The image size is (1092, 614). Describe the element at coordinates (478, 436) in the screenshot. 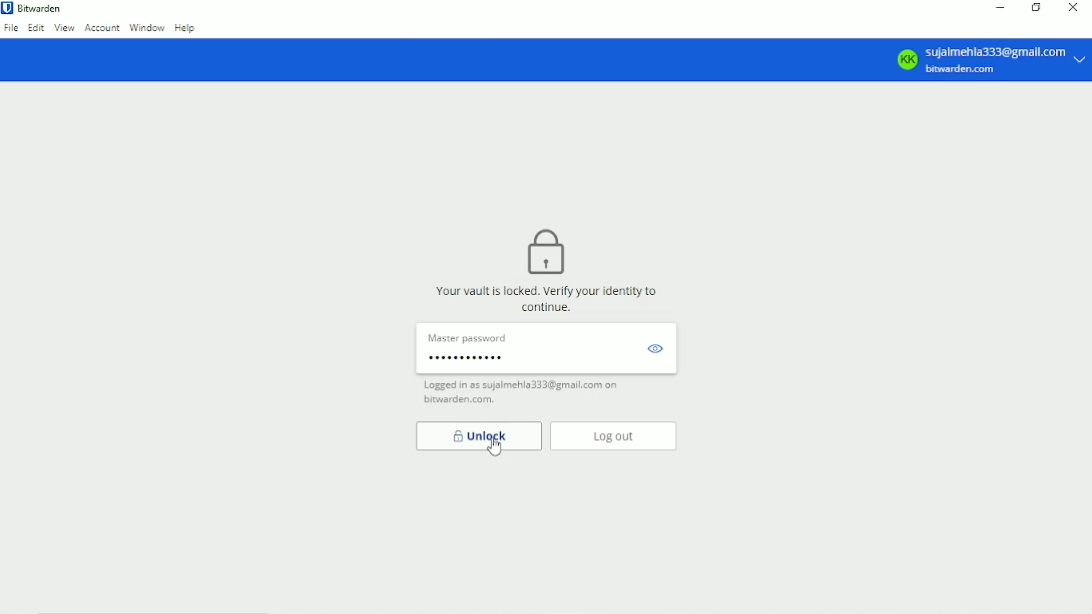

I see `unlock` at that location.